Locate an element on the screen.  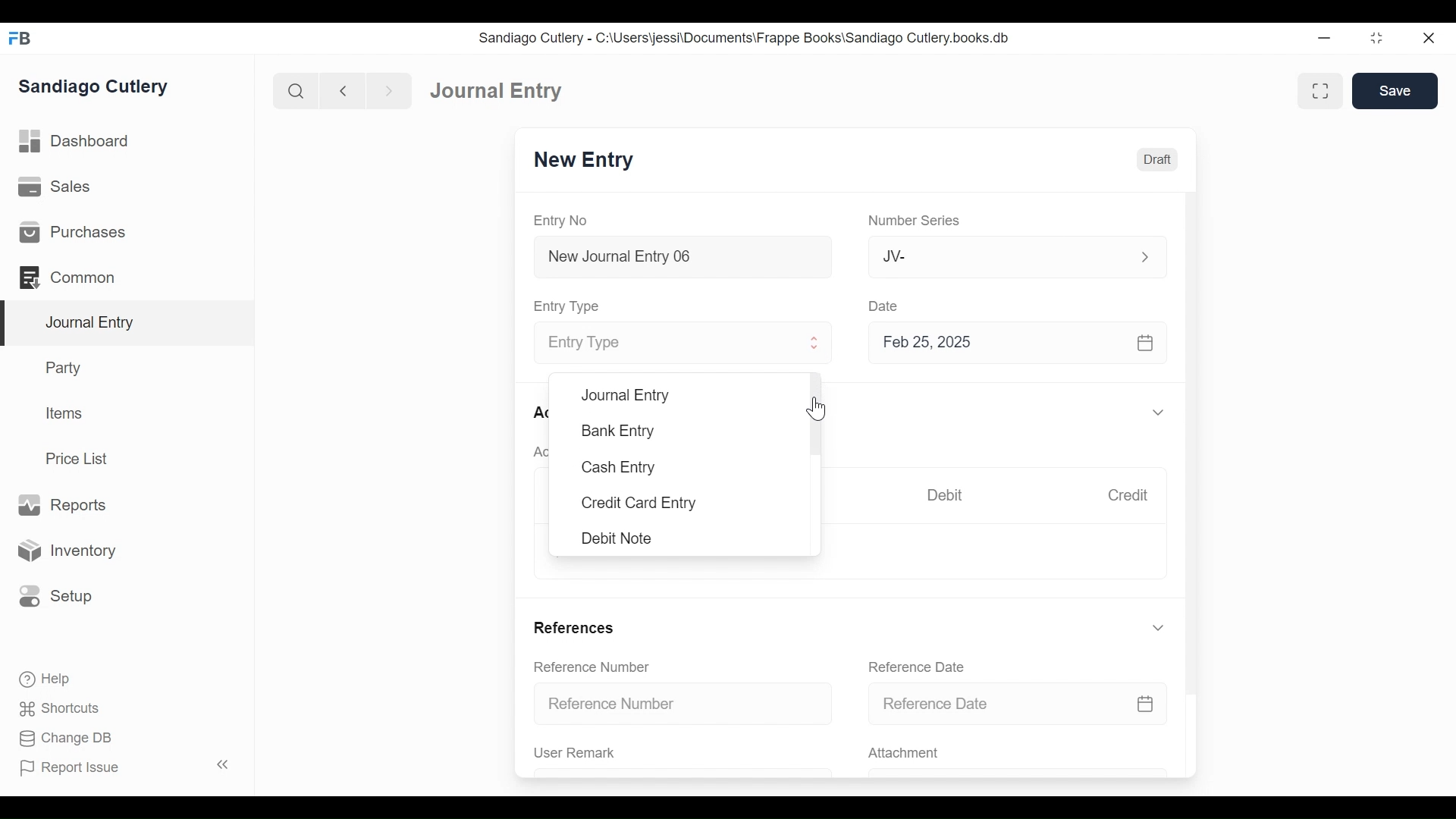
Date is located at coordinates (884, 305).